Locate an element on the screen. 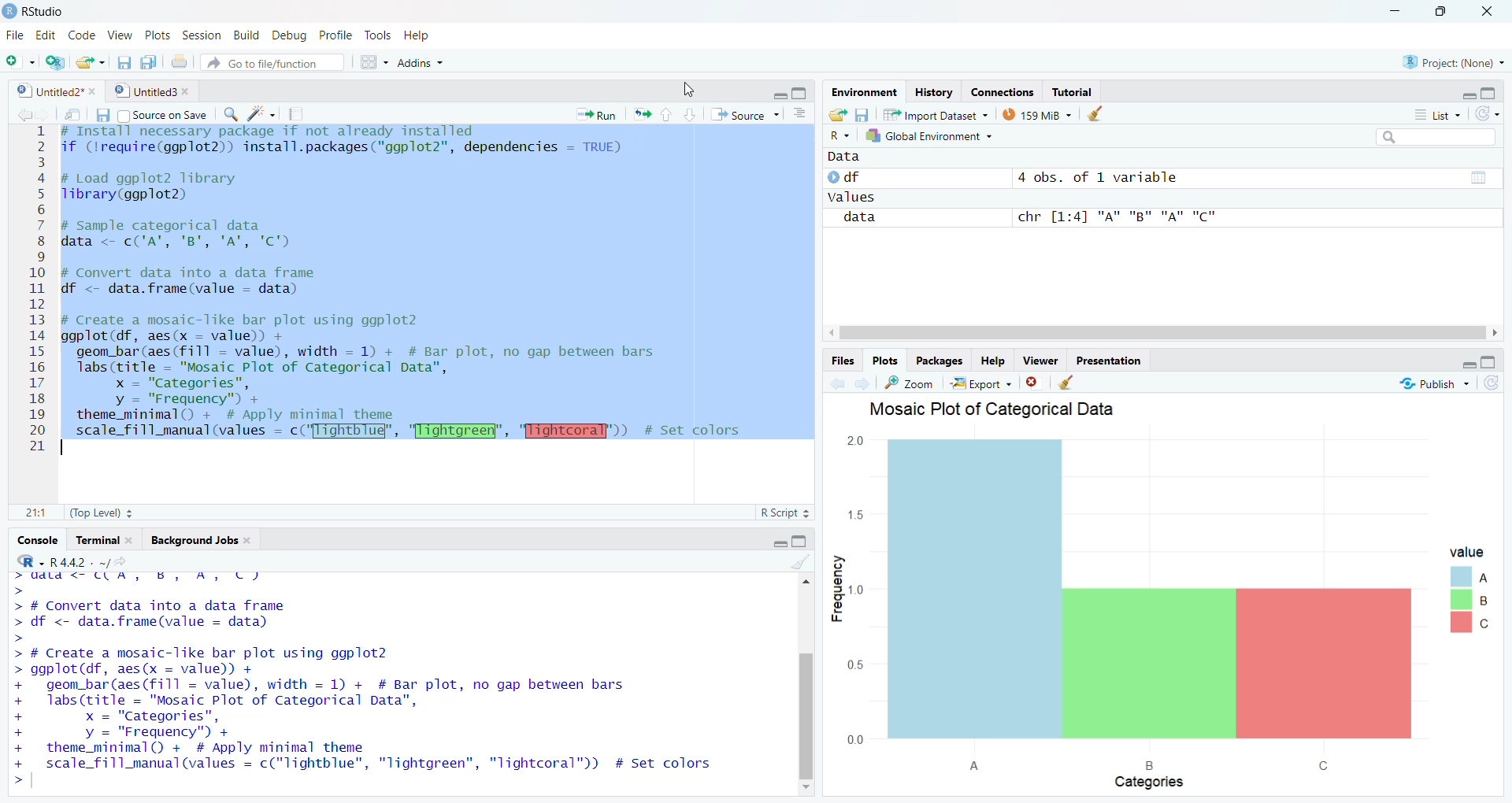 The width and height of the screenshot is (1512, 803). Help is located at coordinates (992, 362).